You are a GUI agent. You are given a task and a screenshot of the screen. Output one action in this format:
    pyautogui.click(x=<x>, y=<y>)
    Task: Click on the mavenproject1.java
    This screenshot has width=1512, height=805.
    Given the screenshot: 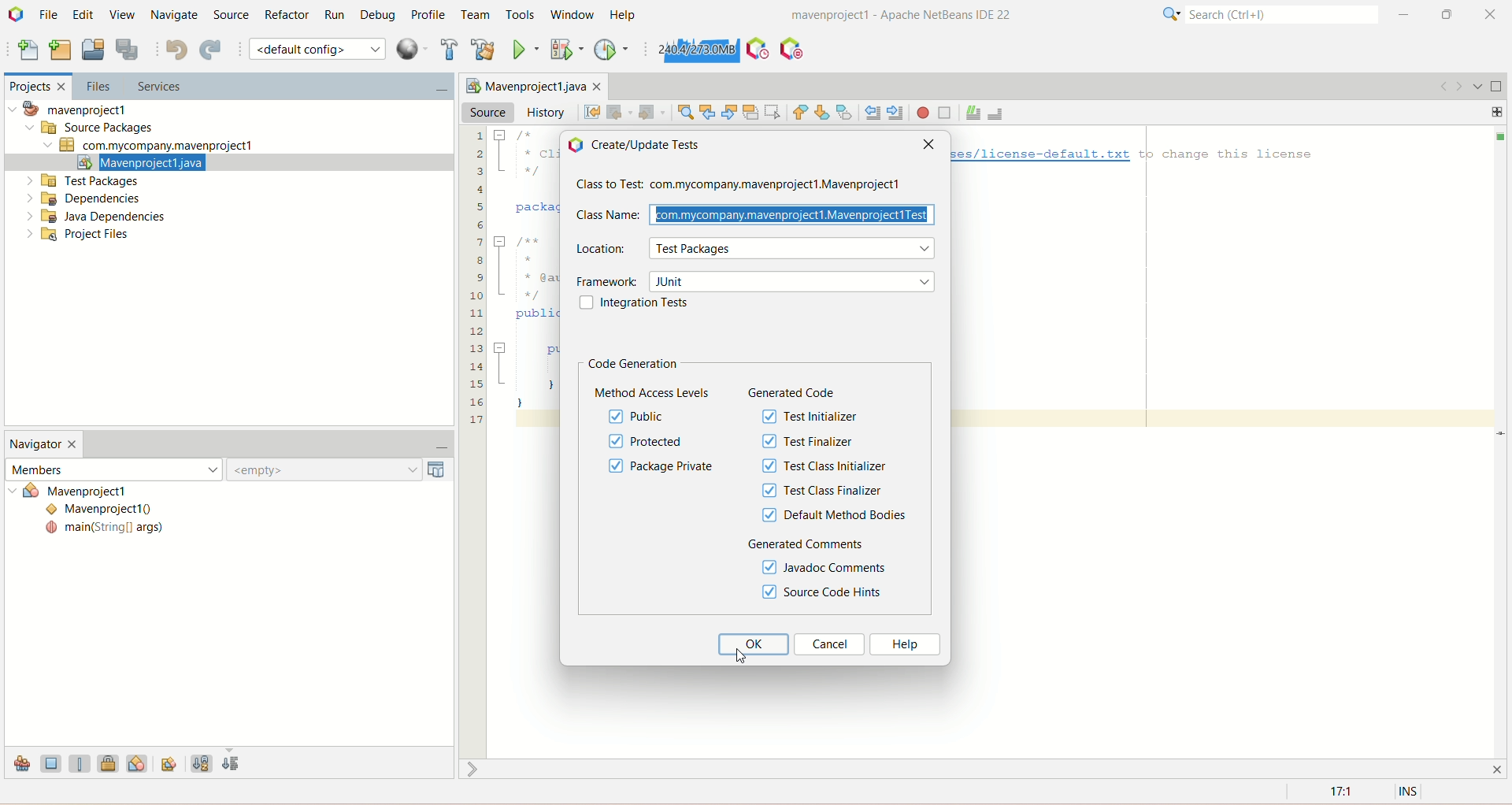 What is the action you would take?
    pyautogui.click(x=228, y=161)
    